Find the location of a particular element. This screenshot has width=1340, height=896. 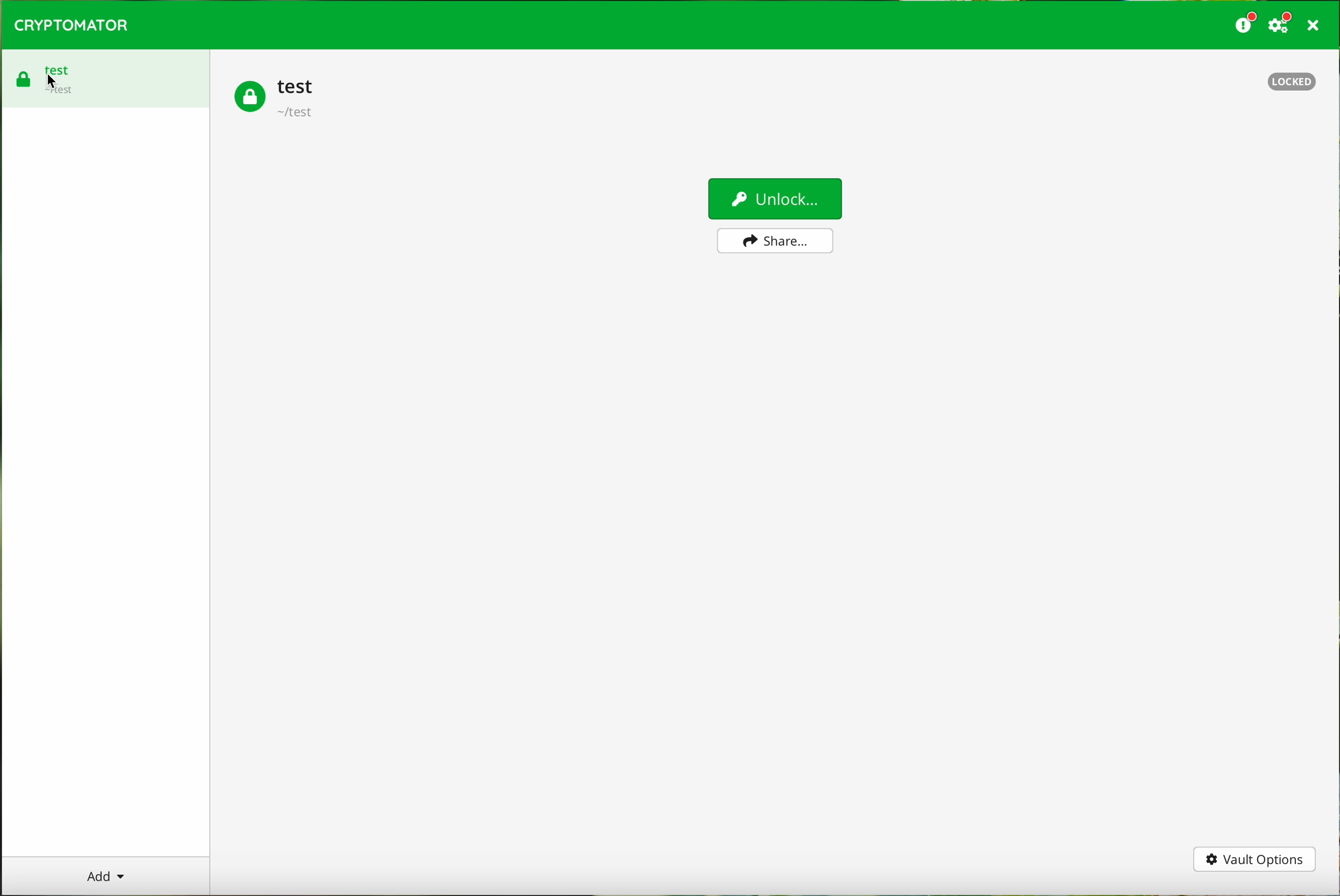

share  is located at coordinates (776, 241).